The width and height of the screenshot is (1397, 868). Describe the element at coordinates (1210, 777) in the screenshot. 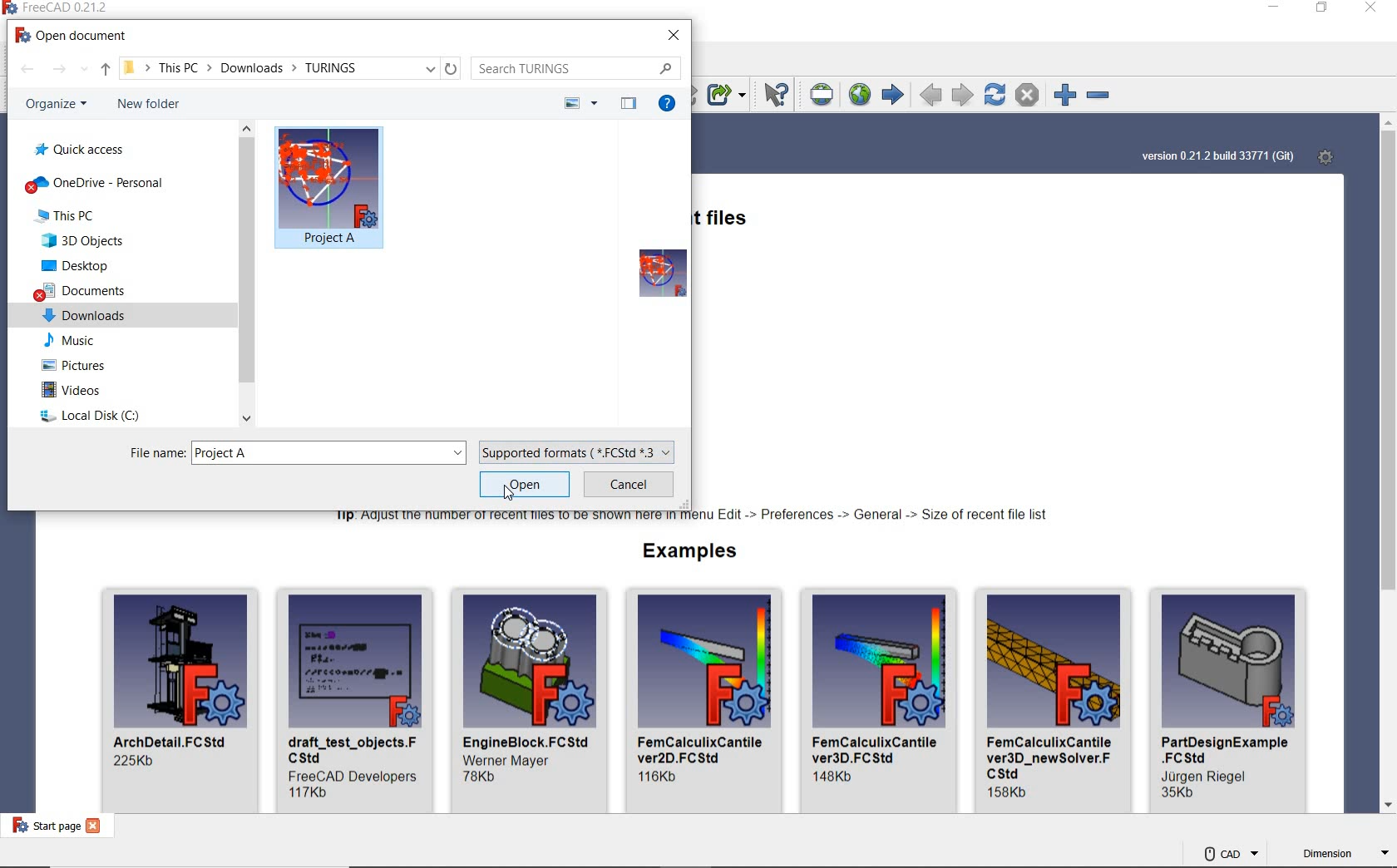

I see `dev name` at that location.